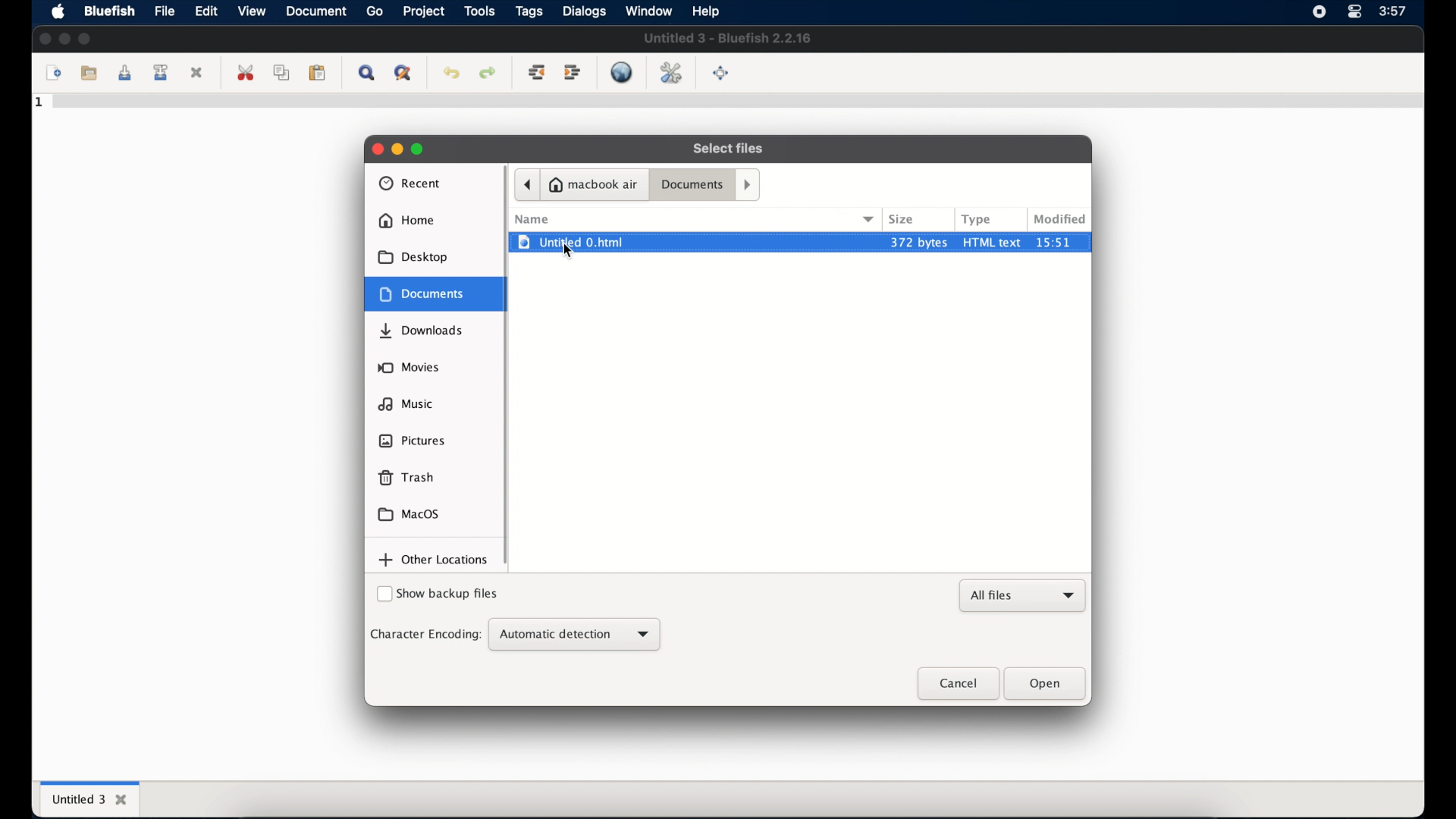  Describe the element at coordinates (870, 218) in the screenshot. I see `dropdown menu` at that location.